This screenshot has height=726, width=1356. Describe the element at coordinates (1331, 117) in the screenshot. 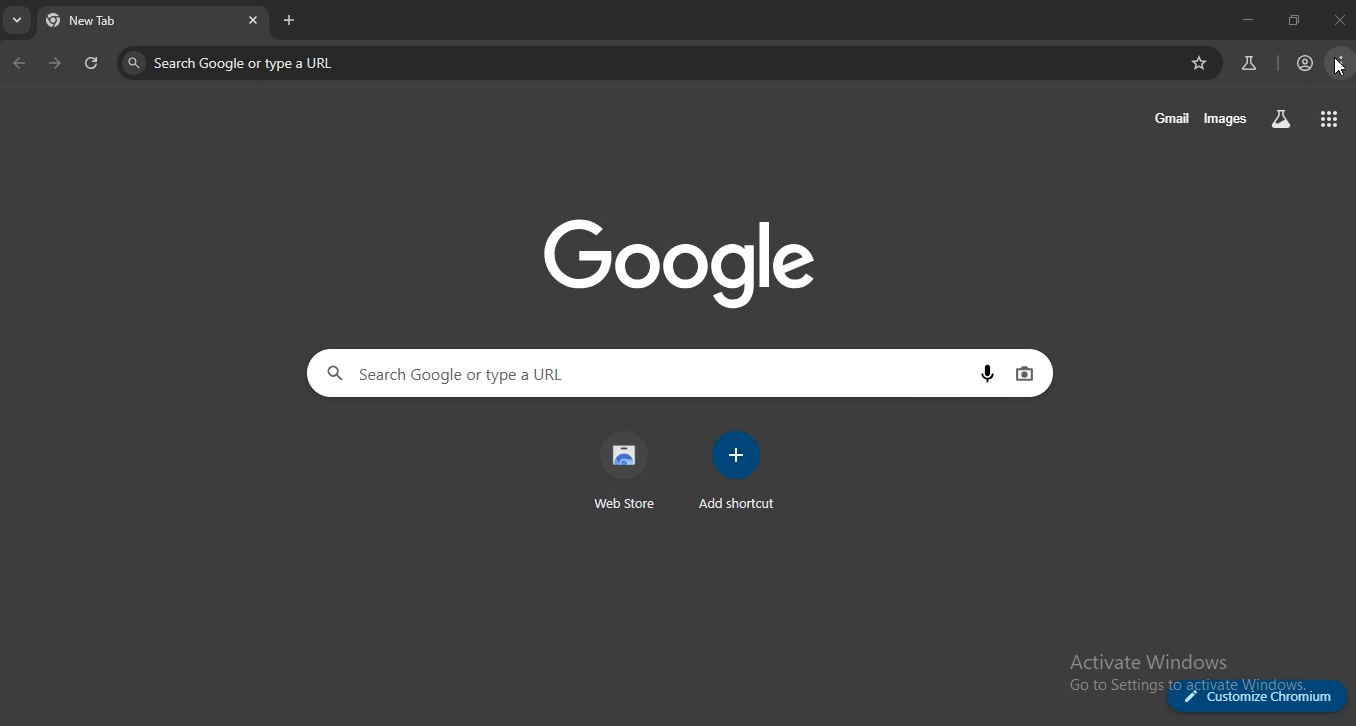

I see `google apps` at that location.